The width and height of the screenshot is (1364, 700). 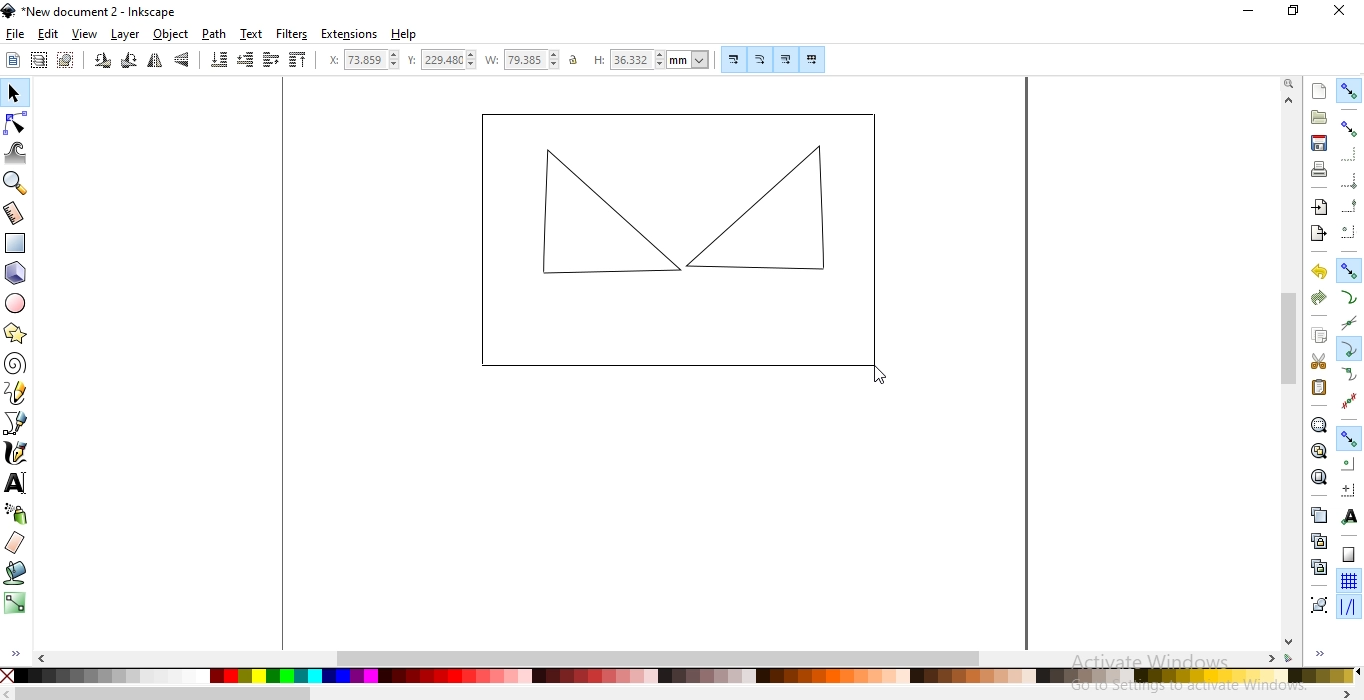 I want to click on create and edit gradients, so click(x=15, y=604).